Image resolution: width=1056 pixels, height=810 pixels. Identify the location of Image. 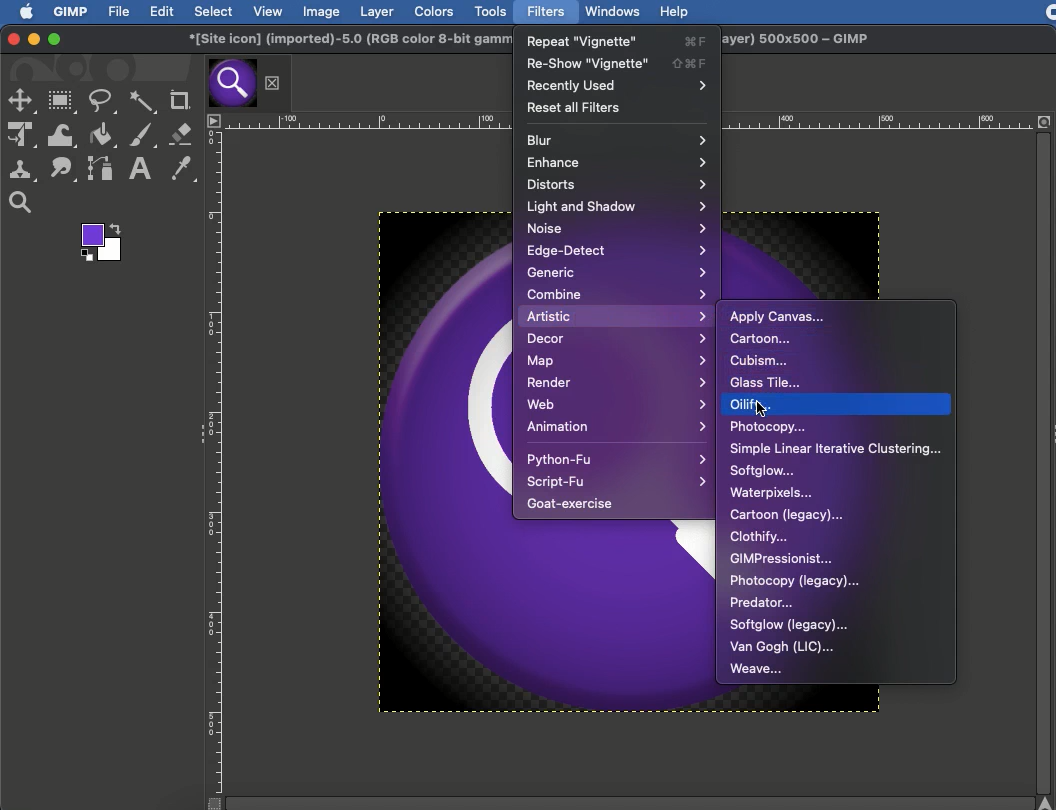
(435, 462).